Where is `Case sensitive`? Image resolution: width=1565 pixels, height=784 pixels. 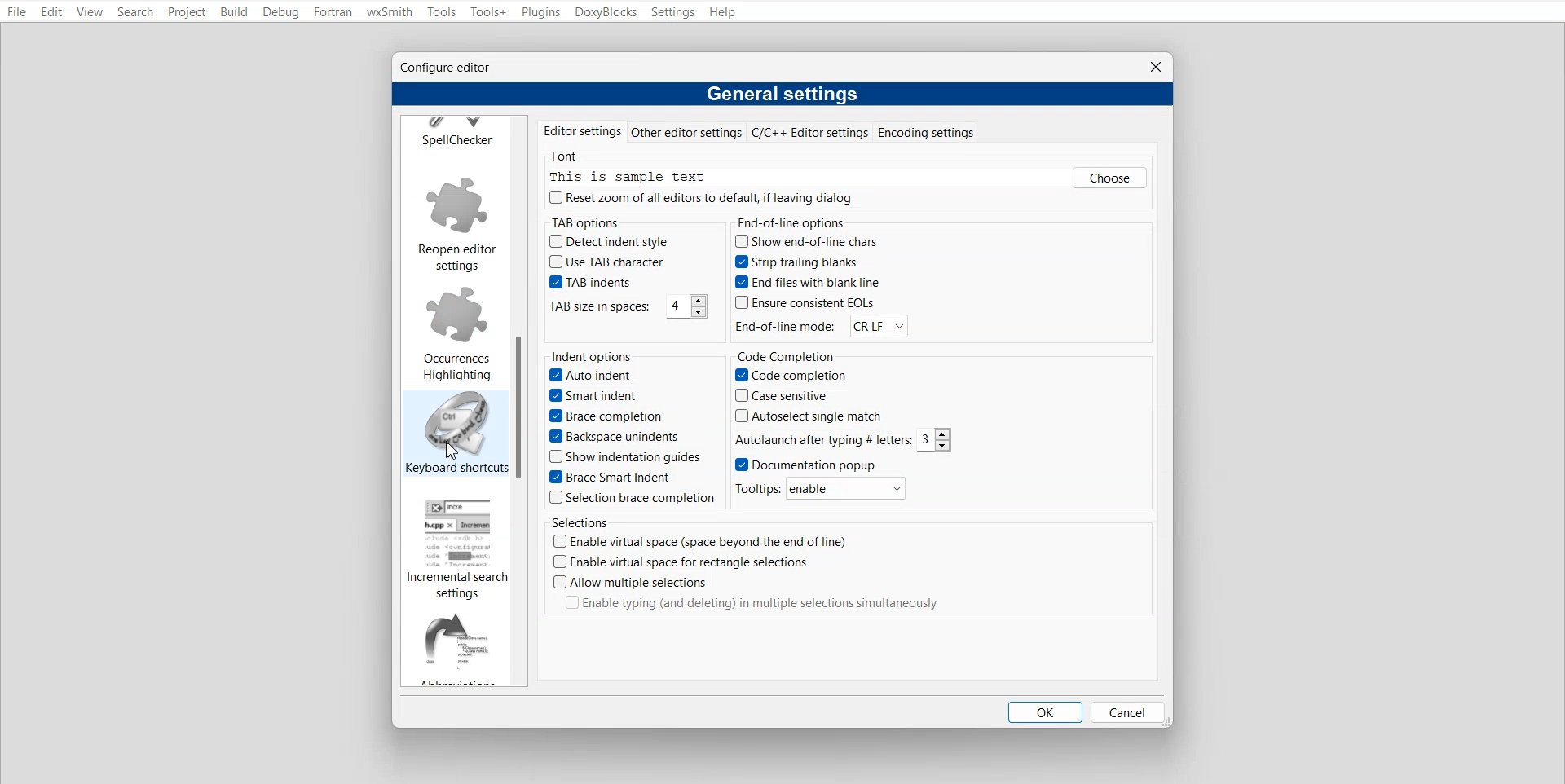
Case sensitive is located at coordinates (791, 397).